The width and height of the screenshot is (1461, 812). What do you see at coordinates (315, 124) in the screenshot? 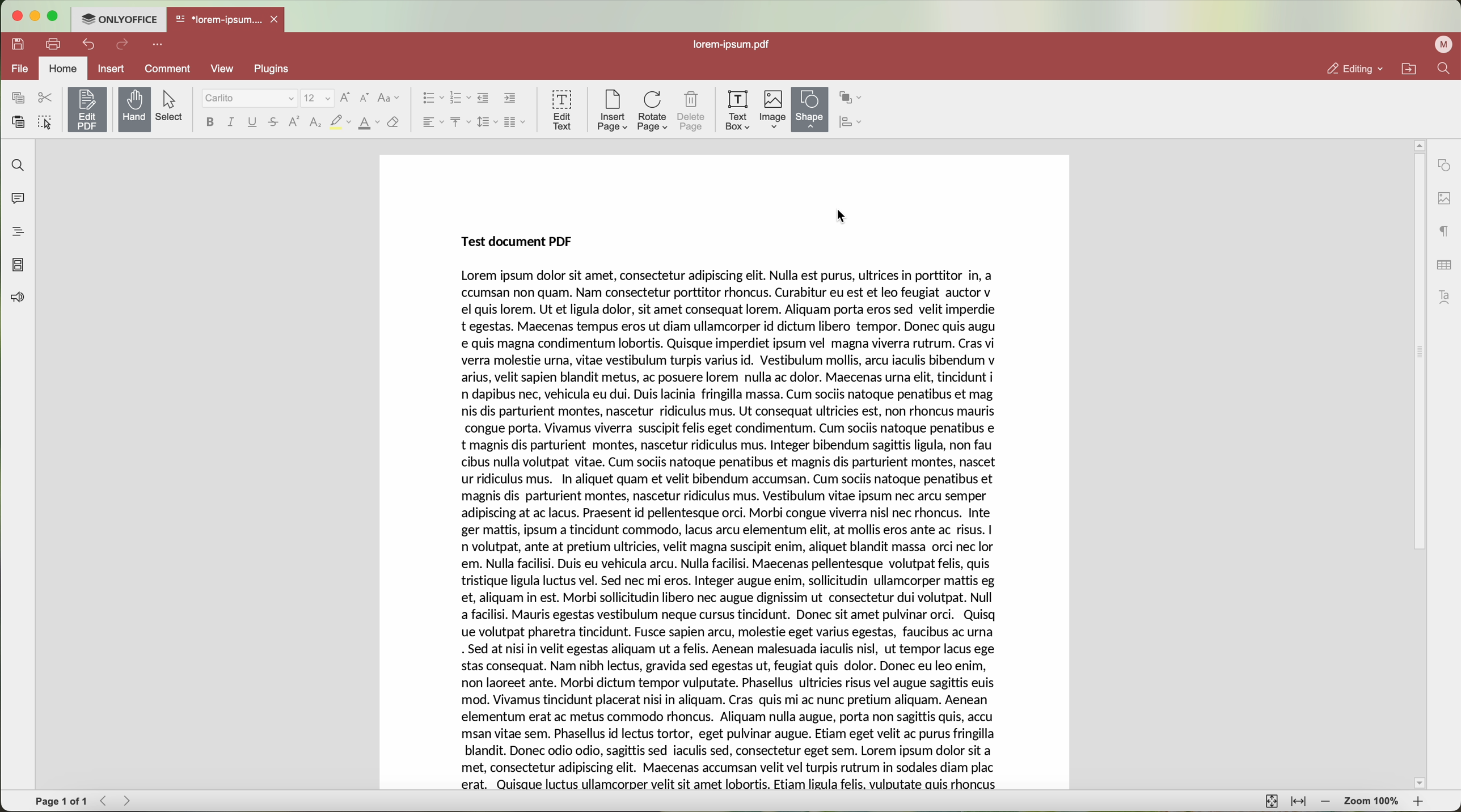
I see `subscript` at bounding box center [315, 124].